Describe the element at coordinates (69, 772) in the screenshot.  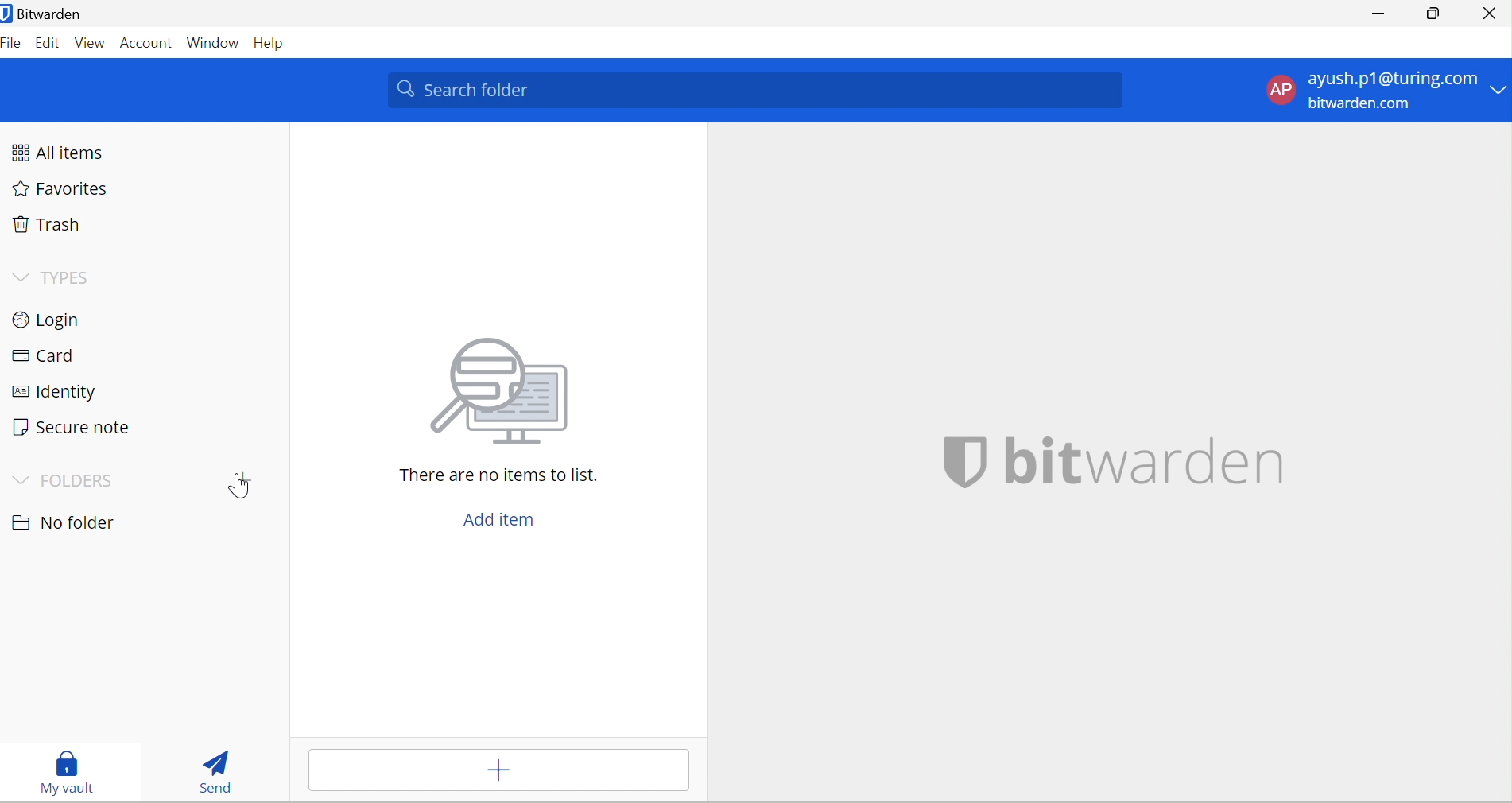
I see `My Vault` at that location.